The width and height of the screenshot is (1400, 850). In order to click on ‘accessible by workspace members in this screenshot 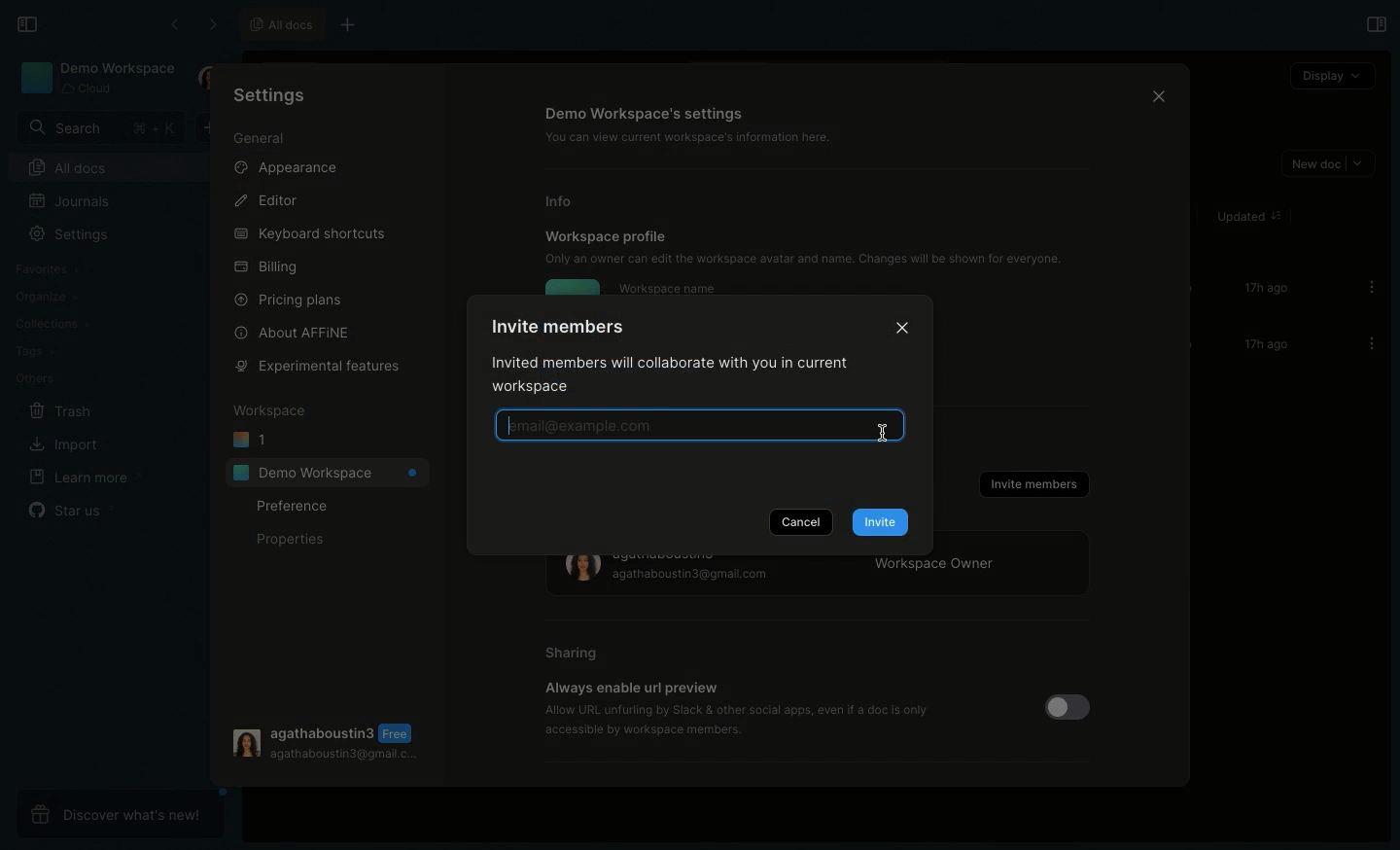, I will do `click(636, 729)`.